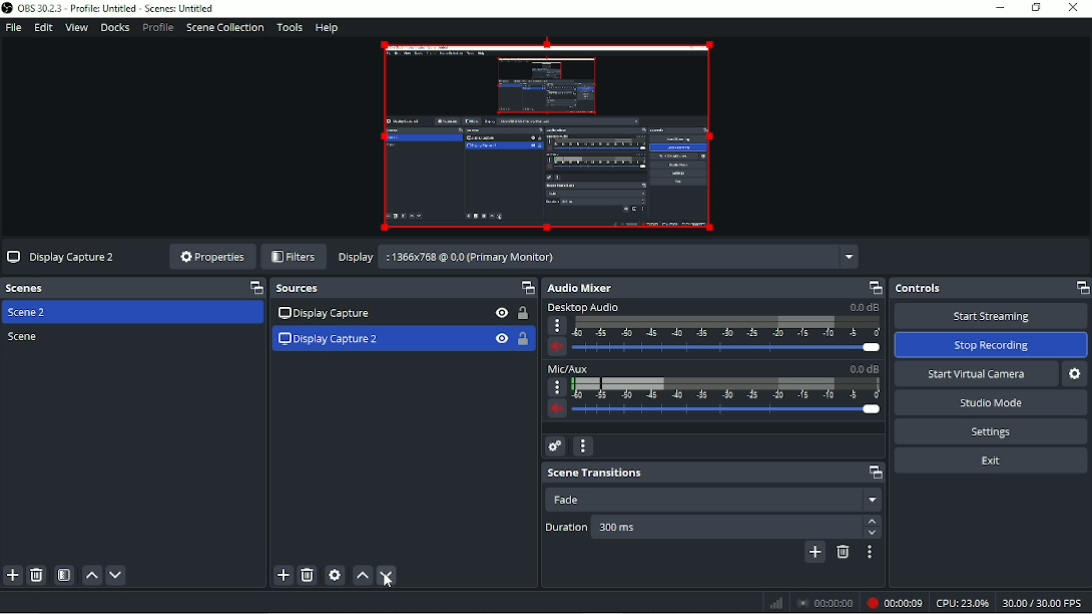  What do you see at coordinates (322, 313) in the screenshot?
I see `Display Capture ` at bounding box center [322, 313].